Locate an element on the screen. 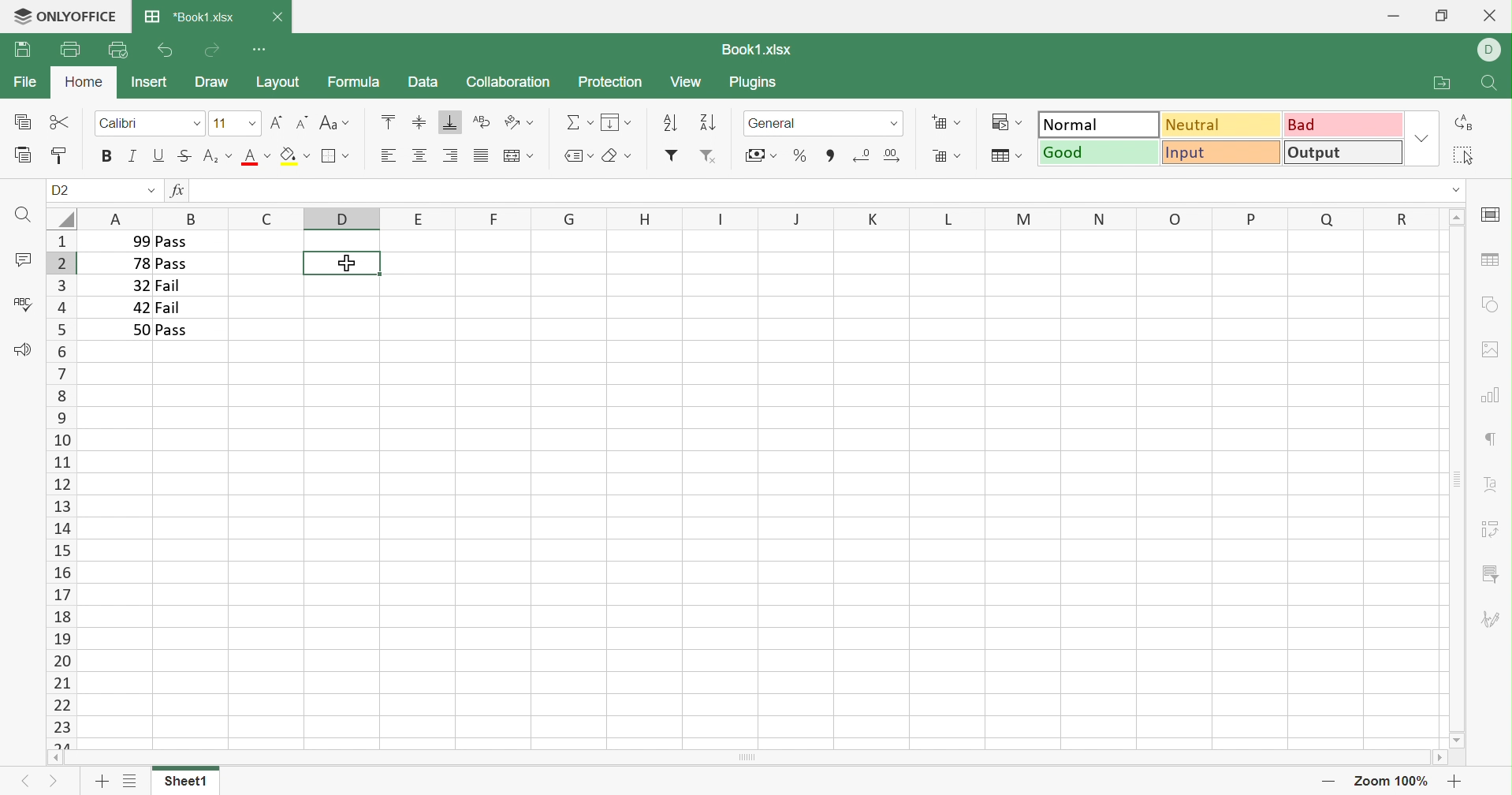  Sheet1 is located at coordinates (184, 784).